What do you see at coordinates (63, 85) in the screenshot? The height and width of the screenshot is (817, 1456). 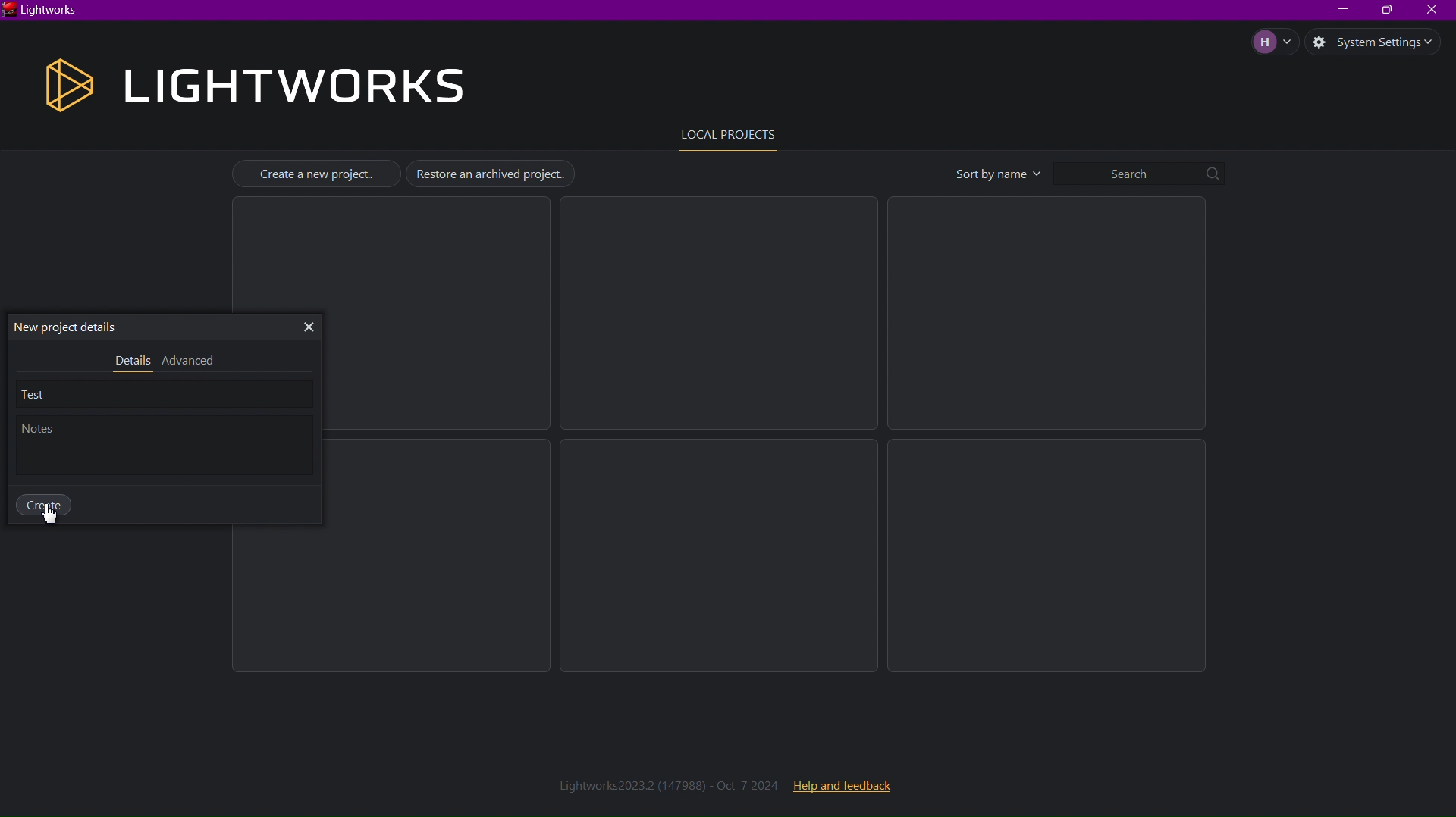 I see `Logo` at bounding box center [63, 85].